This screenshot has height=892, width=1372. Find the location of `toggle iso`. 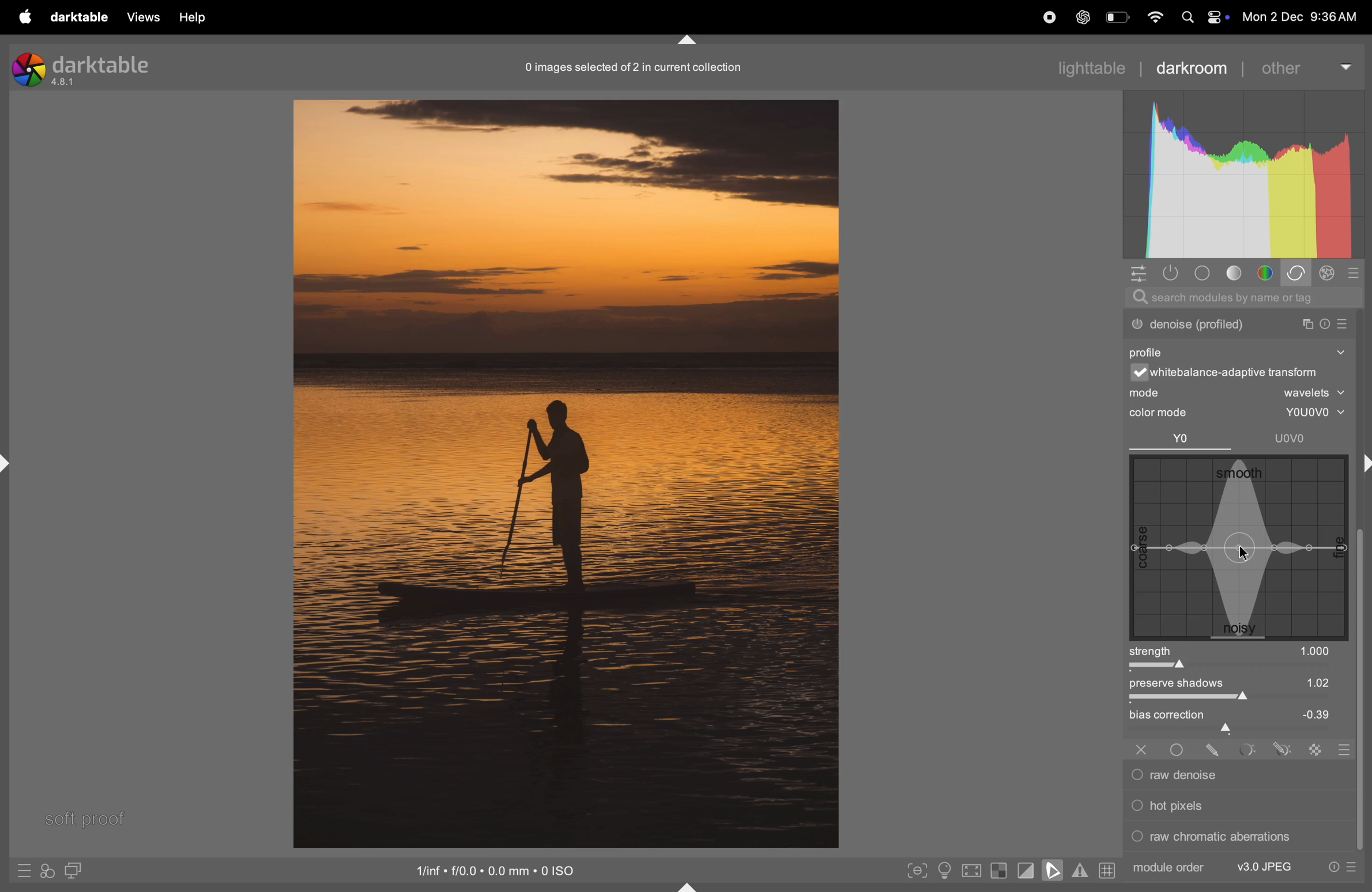

toggle iso is located at coordinates (943, 870).